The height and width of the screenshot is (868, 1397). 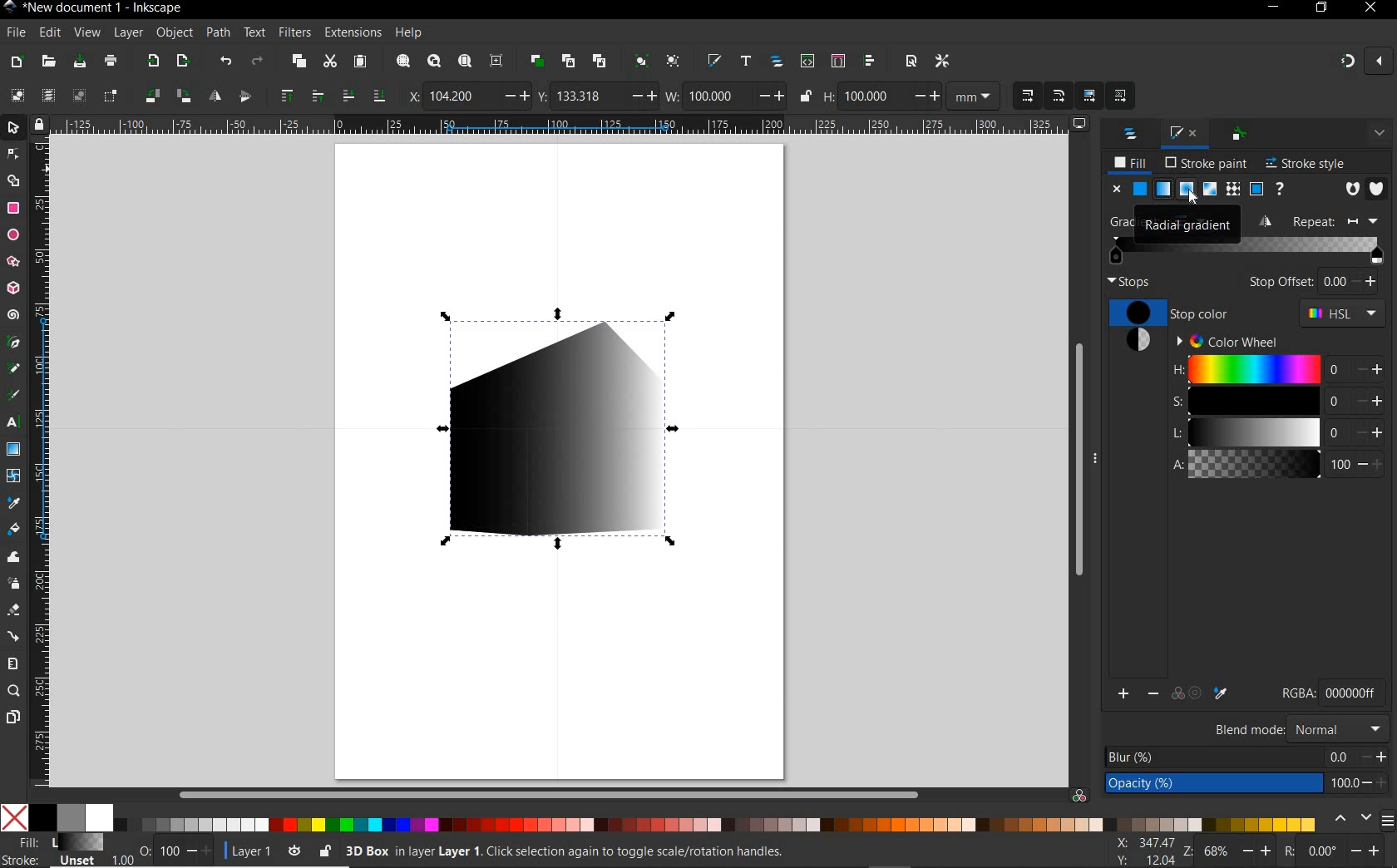 What do you see at coordinates (1353, 190) in the screenshot?
I see `CREATE HOLES IN THE FILL` at bounding box center [1353, 190].